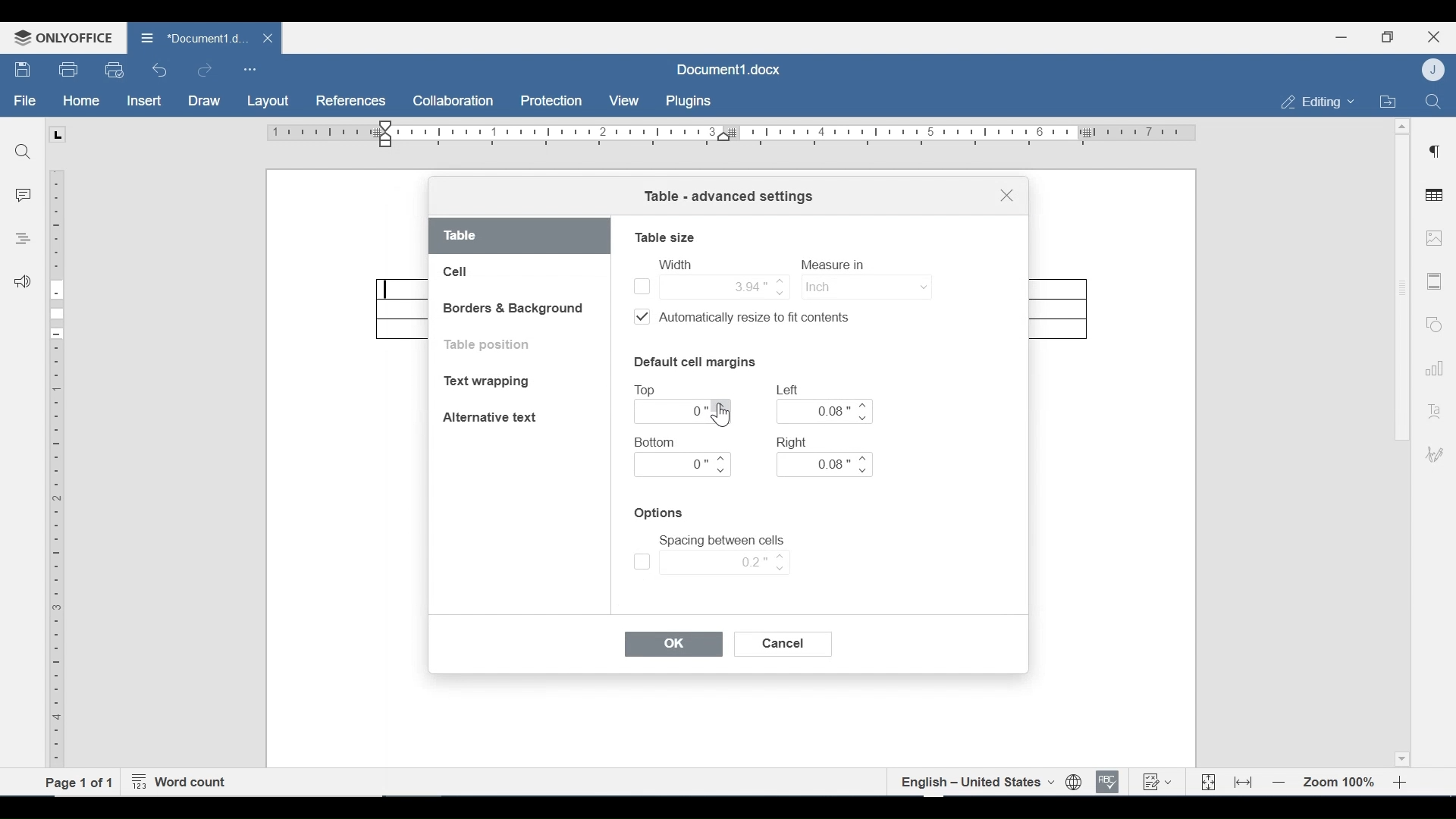  I want to click on Set document language, so click(1075, 783).